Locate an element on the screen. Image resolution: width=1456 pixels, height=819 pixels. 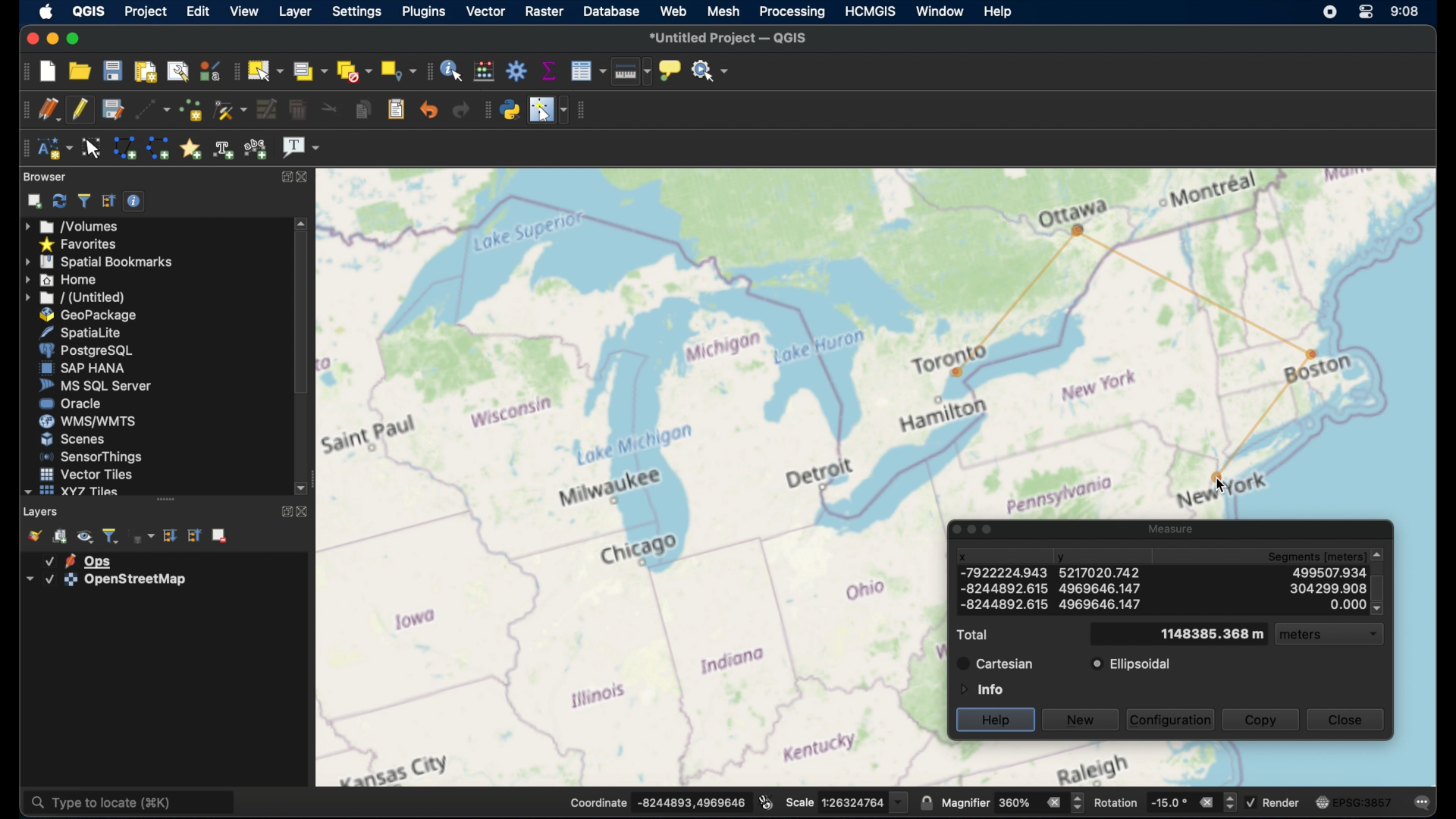
raster is located at coordinates (543, 11).